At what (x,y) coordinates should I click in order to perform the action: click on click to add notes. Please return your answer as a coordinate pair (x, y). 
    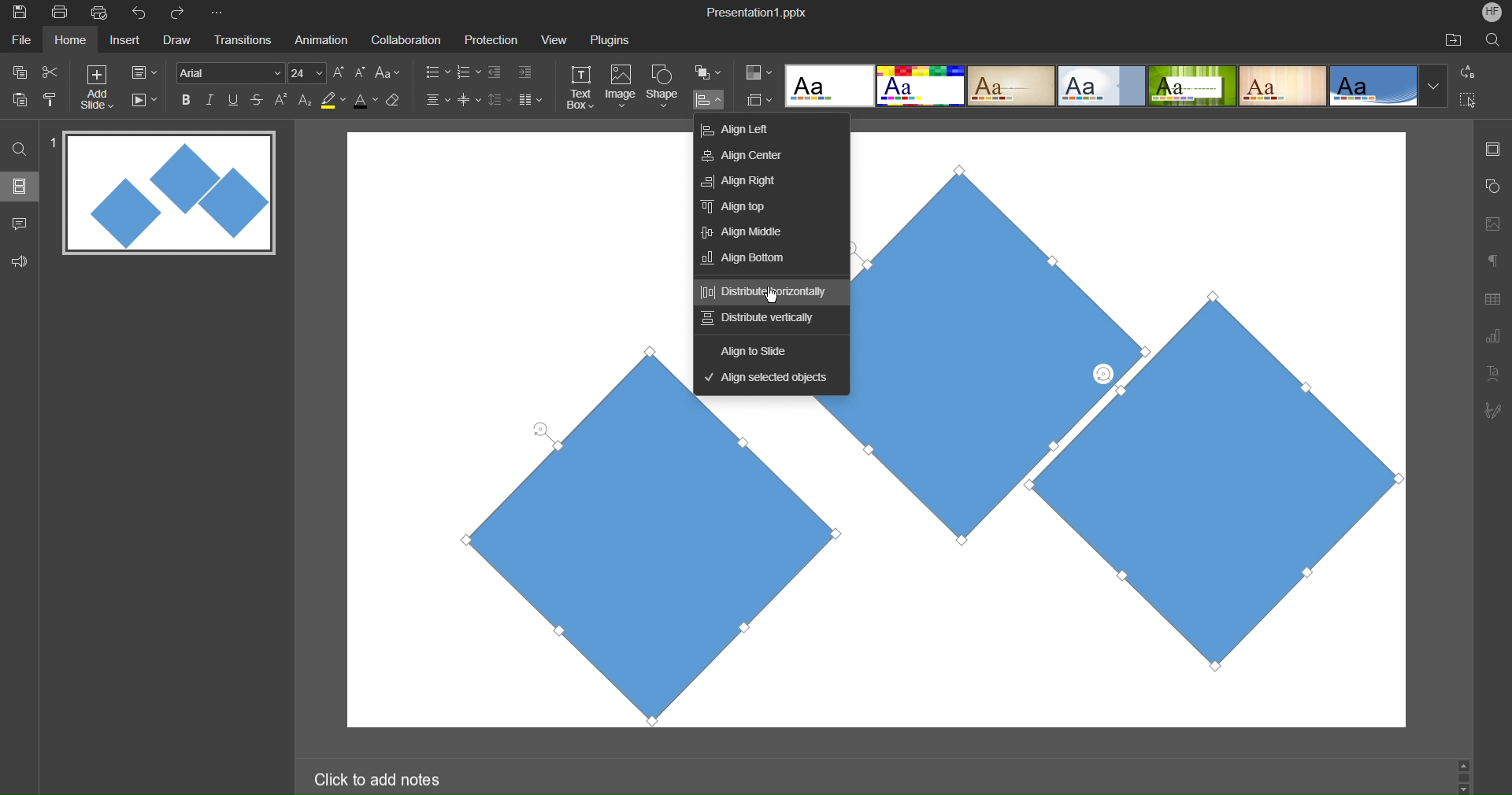
    Looking at the image, I should click on (380, 778).